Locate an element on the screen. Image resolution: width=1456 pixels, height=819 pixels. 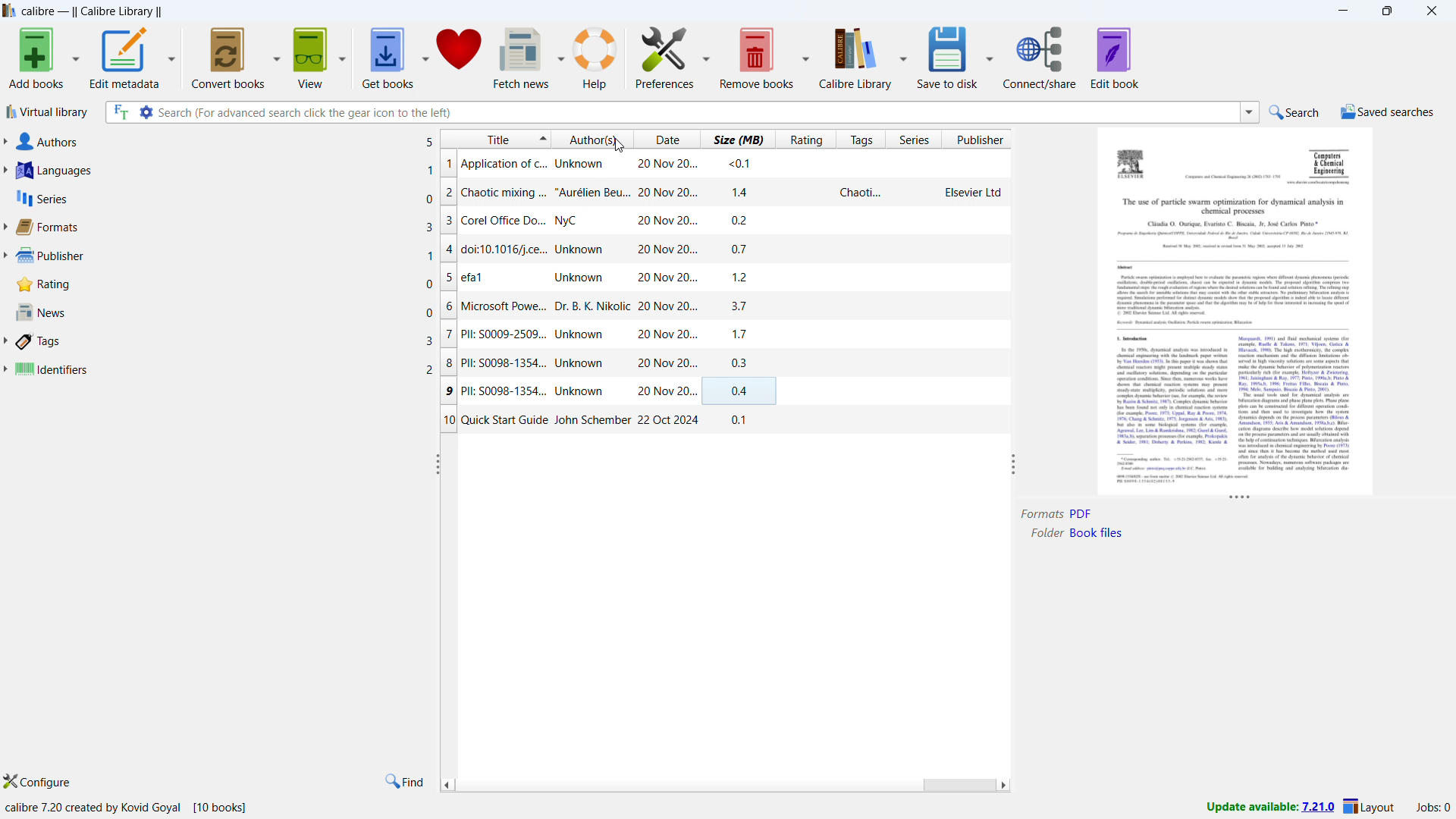
1 is located at coordinates (448, 165).